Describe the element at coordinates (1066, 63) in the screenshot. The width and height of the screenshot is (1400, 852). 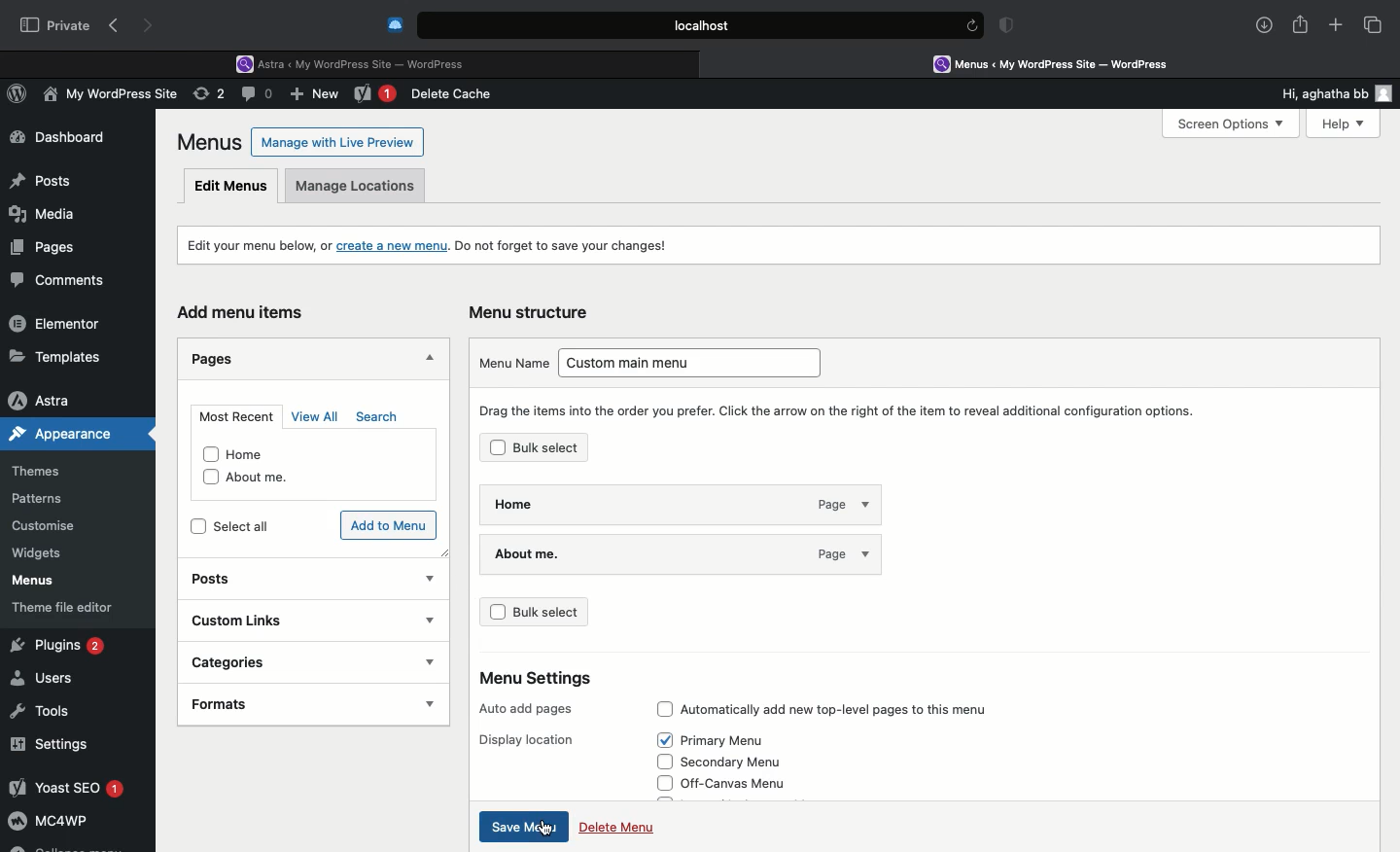
I see `Menus < My WordPress Site - WordPress` at that location.